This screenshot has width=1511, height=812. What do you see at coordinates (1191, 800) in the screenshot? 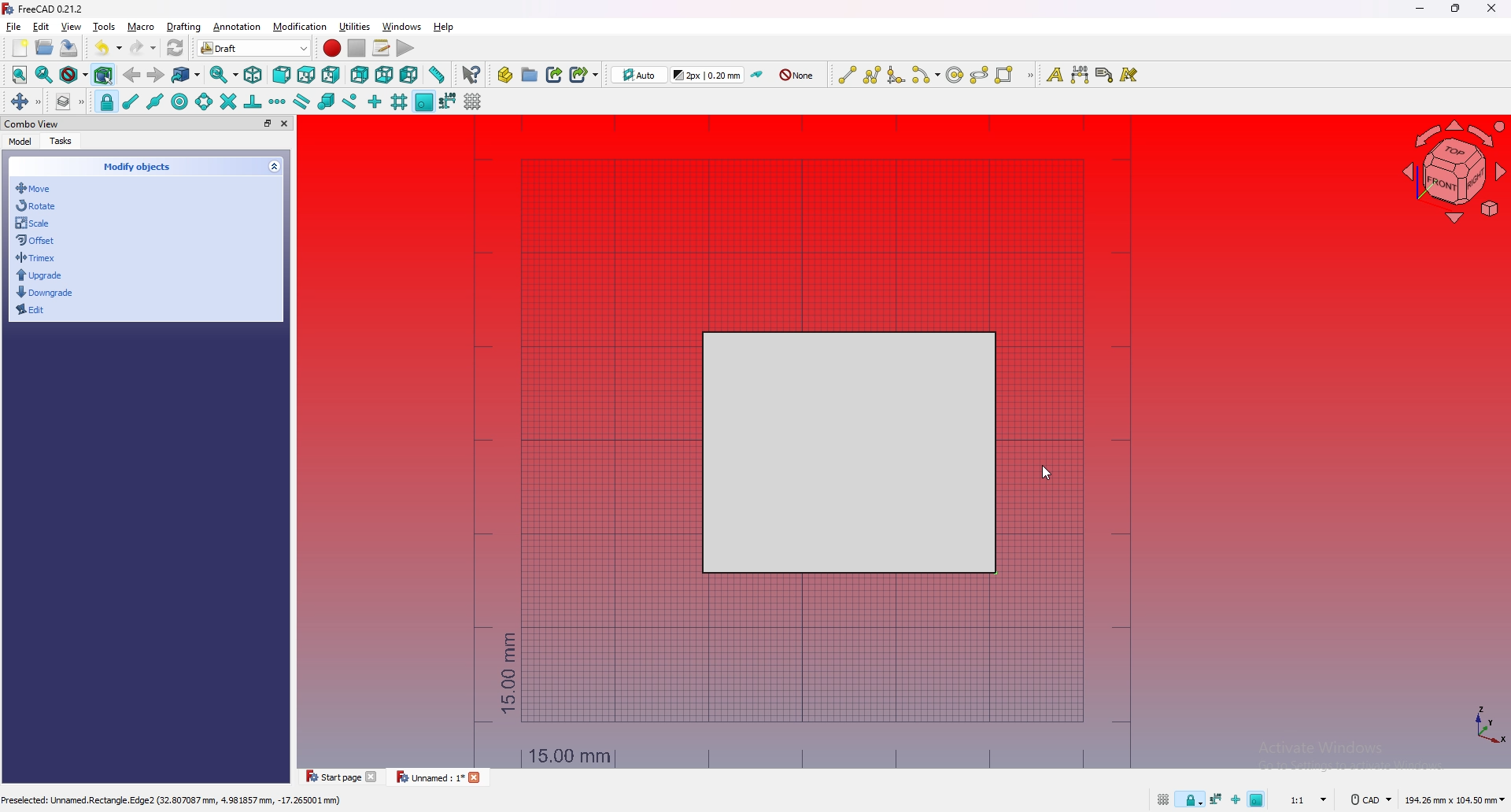
I see `snap lock` at bounding box center [1191, 800].